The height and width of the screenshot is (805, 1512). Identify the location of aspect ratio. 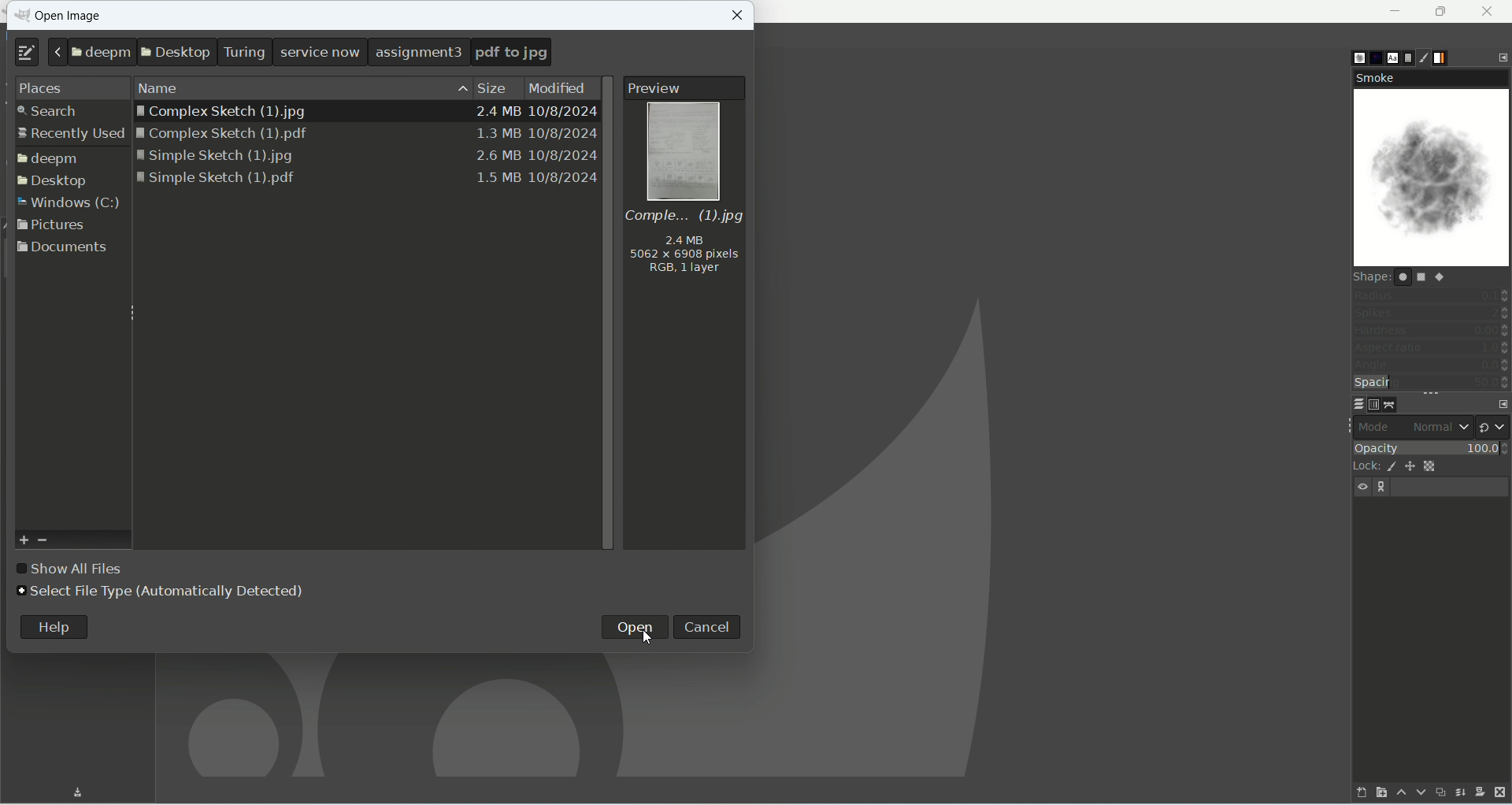
(1432, 347).